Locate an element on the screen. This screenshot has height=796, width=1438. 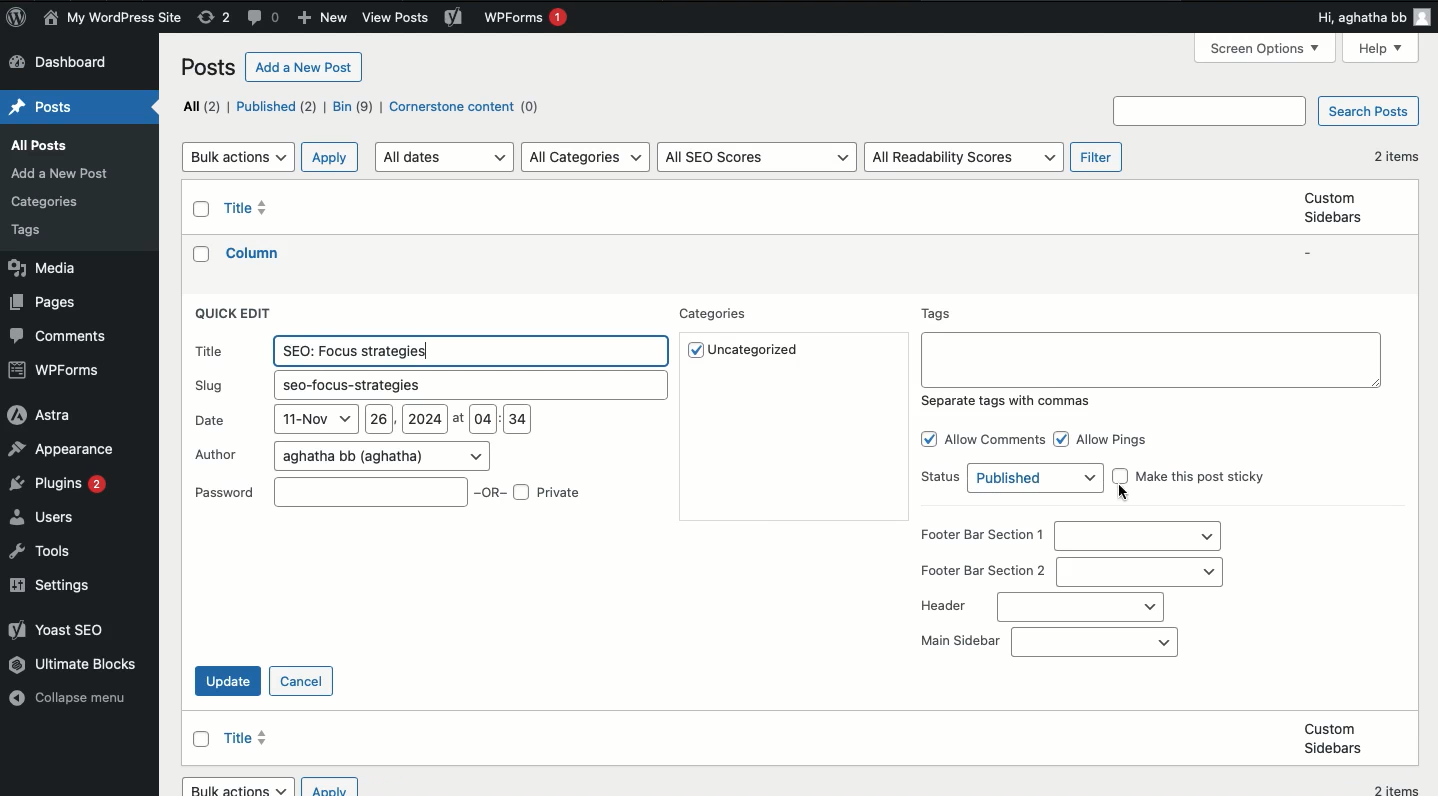
Author is located at coordinates (381, 455).